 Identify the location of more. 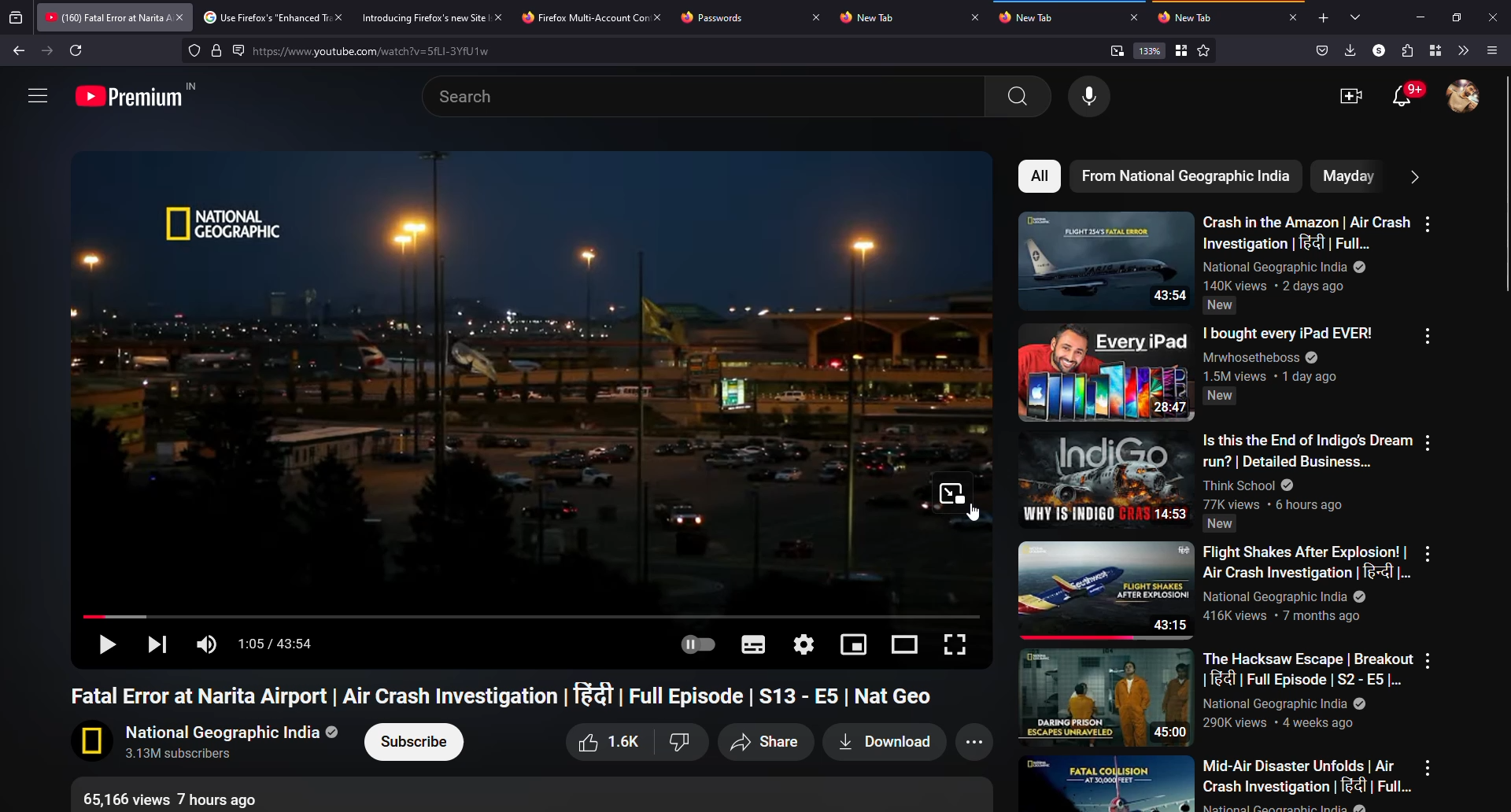
(1428, 336).